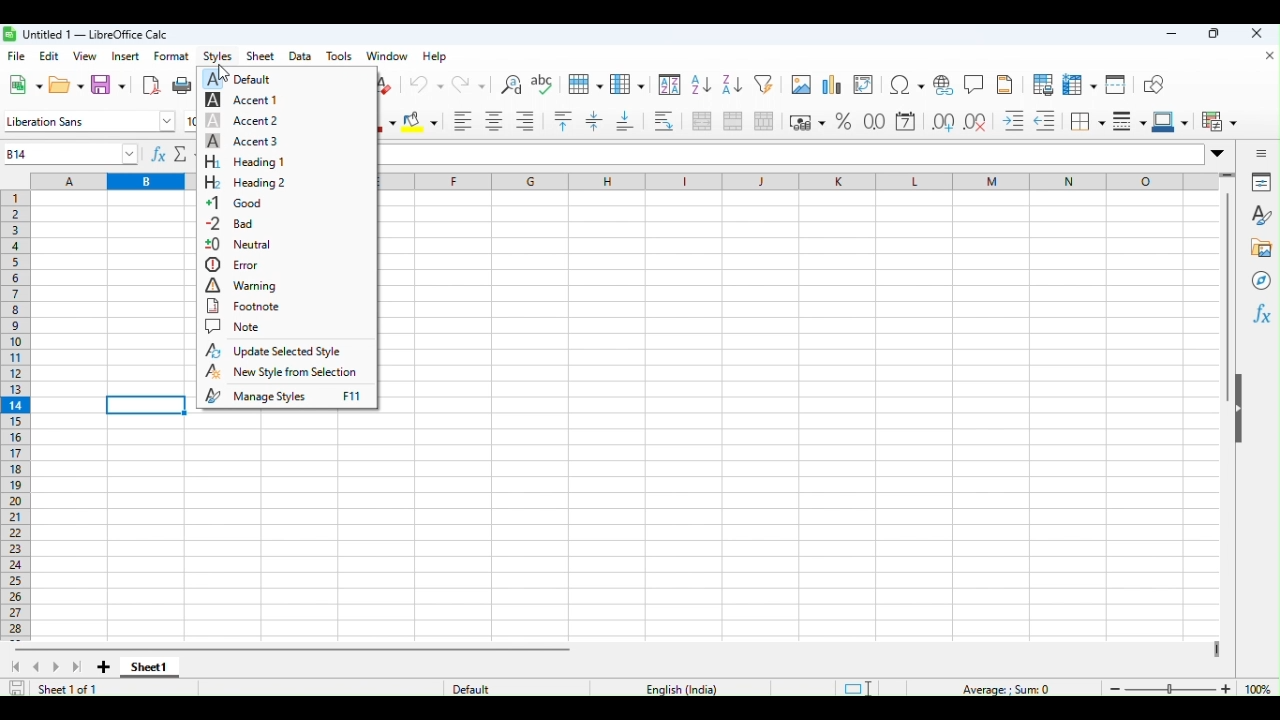 The height and width of the screenshot is (720, 1280). Describe the element at coordinates (1219, 122) in the screenshot. I see `Conditional` at that location.